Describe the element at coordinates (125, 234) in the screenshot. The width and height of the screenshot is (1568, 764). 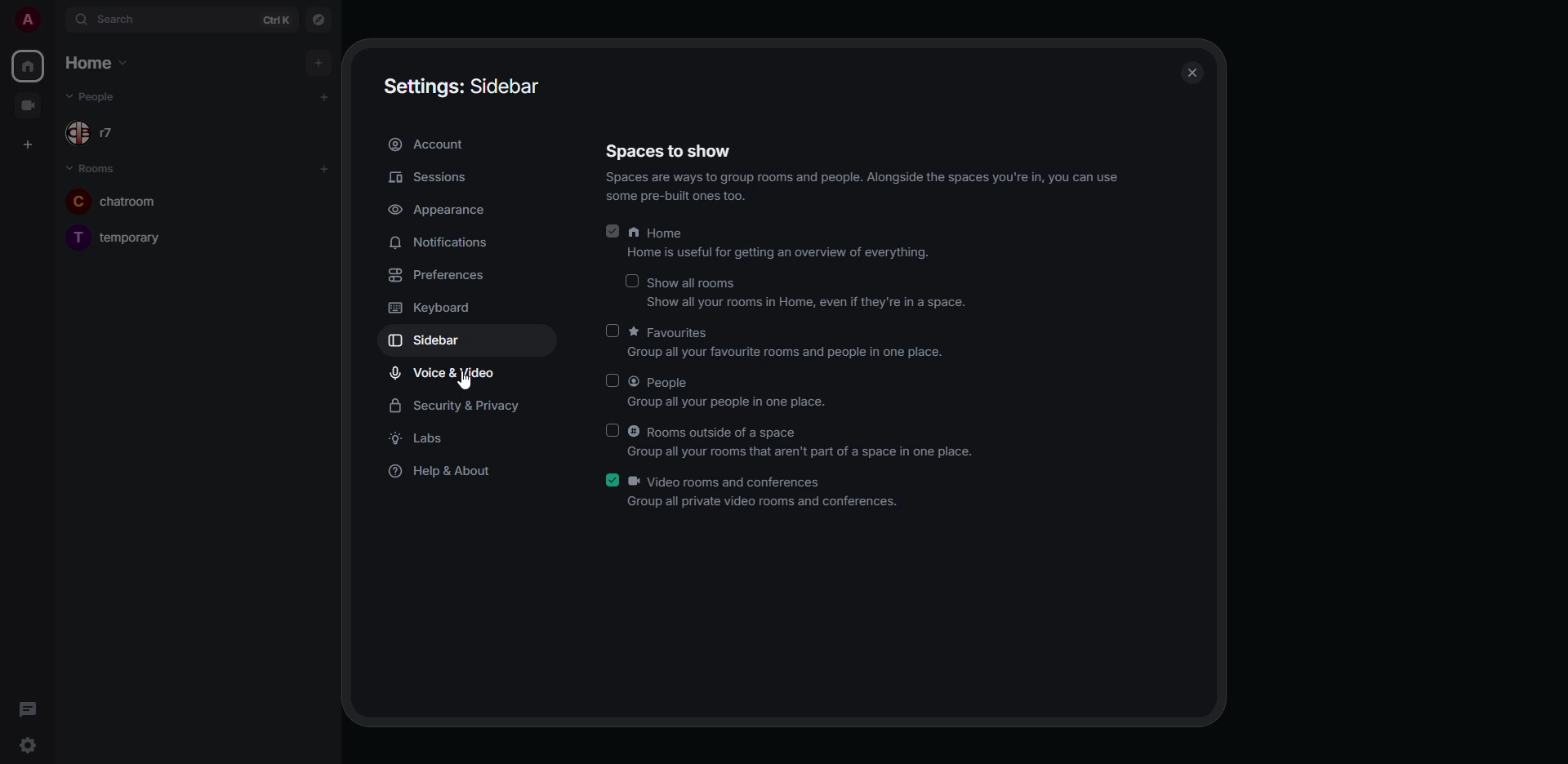
I see `room` at that location.